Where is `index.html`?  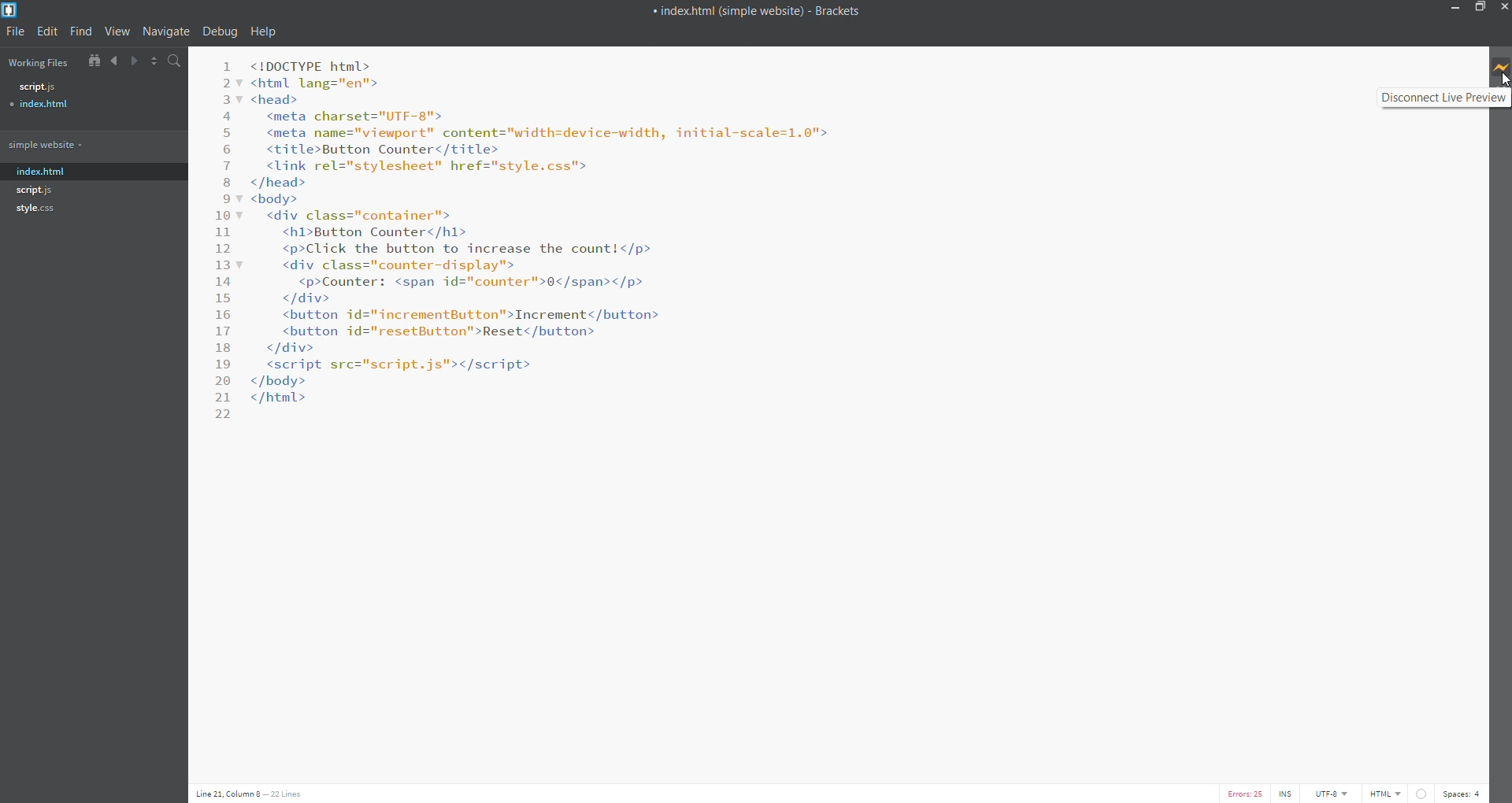 index.html is located at coordinates (88, 105).